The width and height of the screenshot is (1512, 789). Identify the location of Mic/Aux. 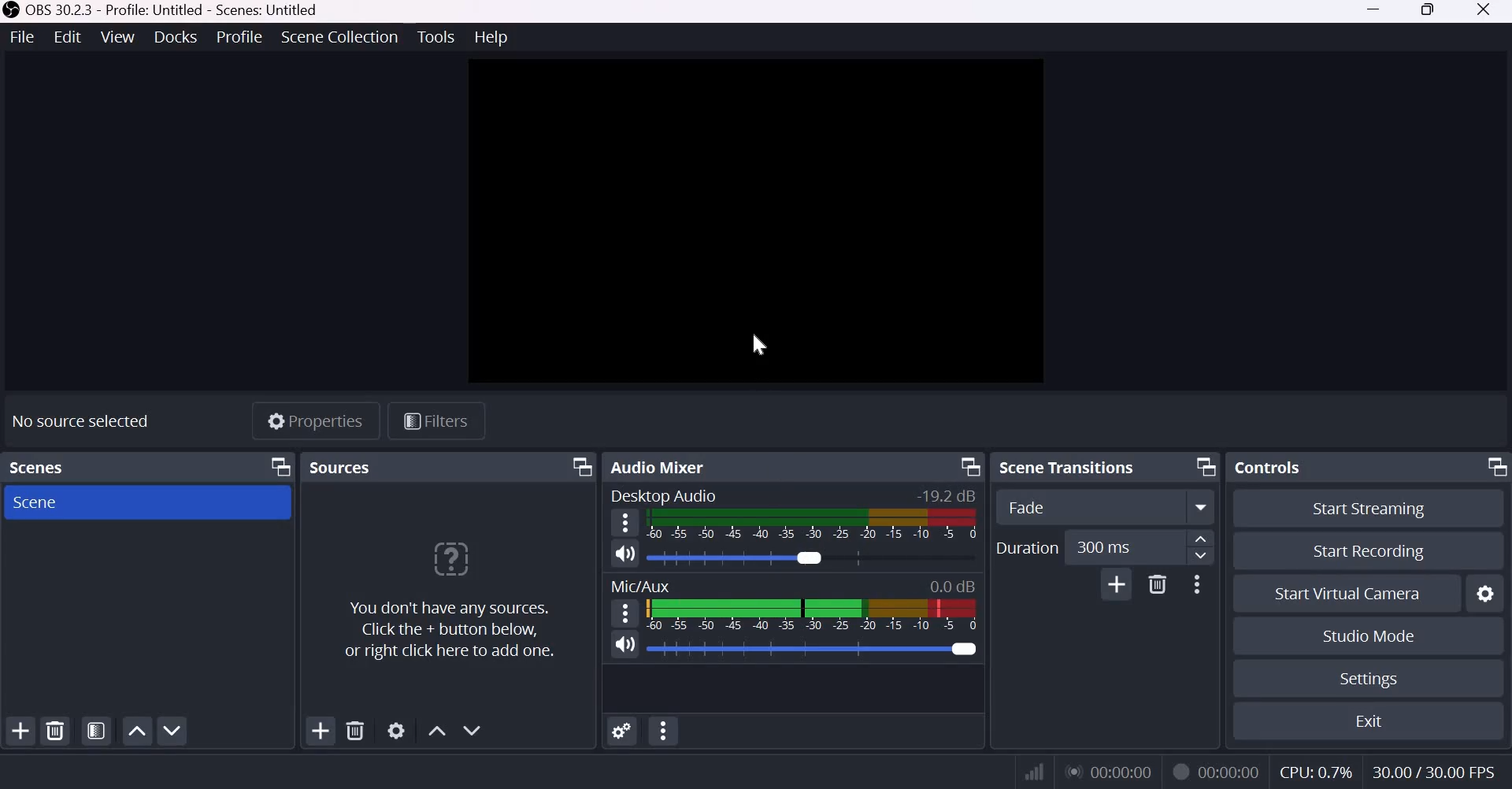
(640, 584).